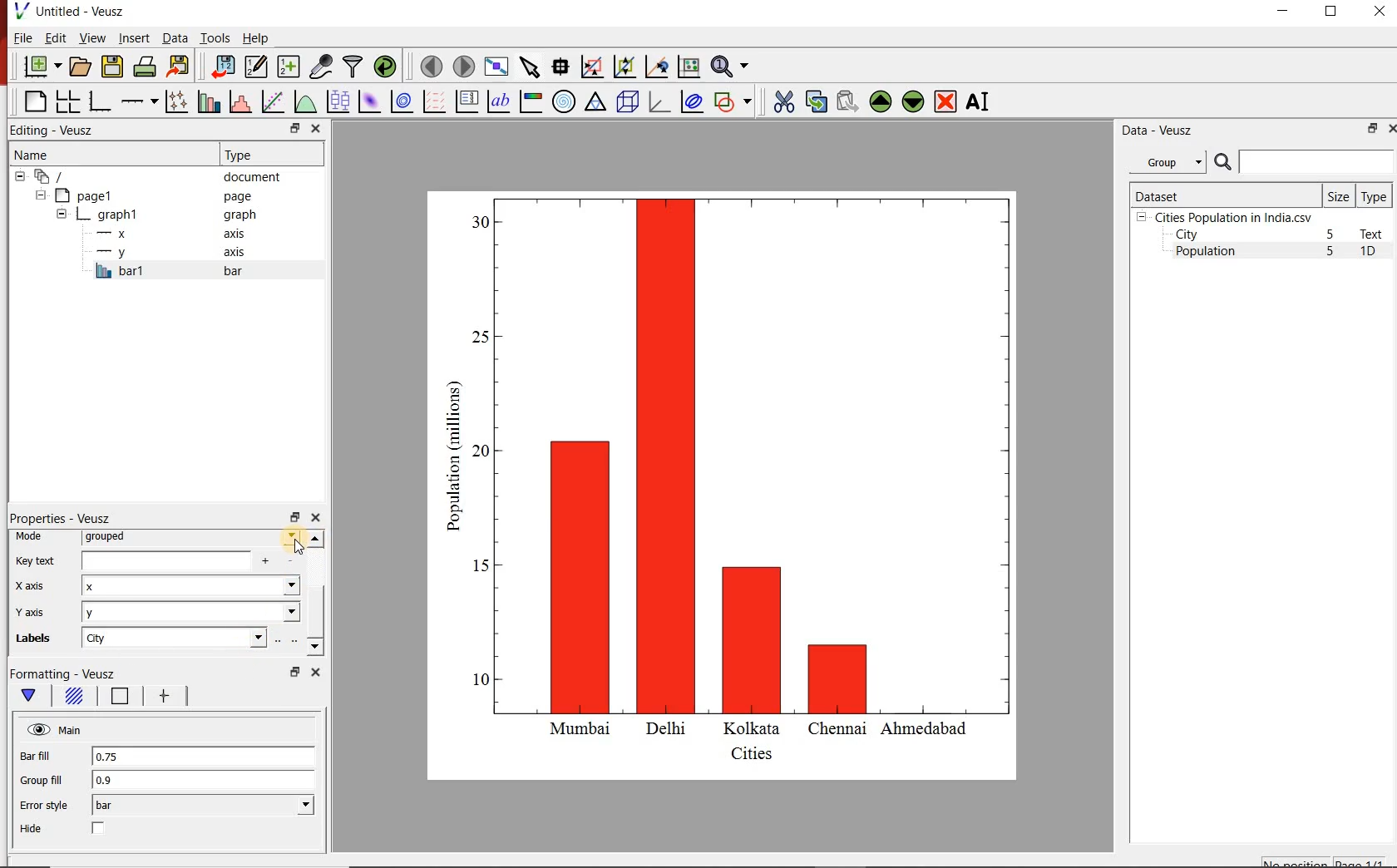 This screenshot has width=1397, height=868. What do you see at coordinates (595, 102) in the screenshot?
I see `Ternary graph` at bounding box center [595, 102].